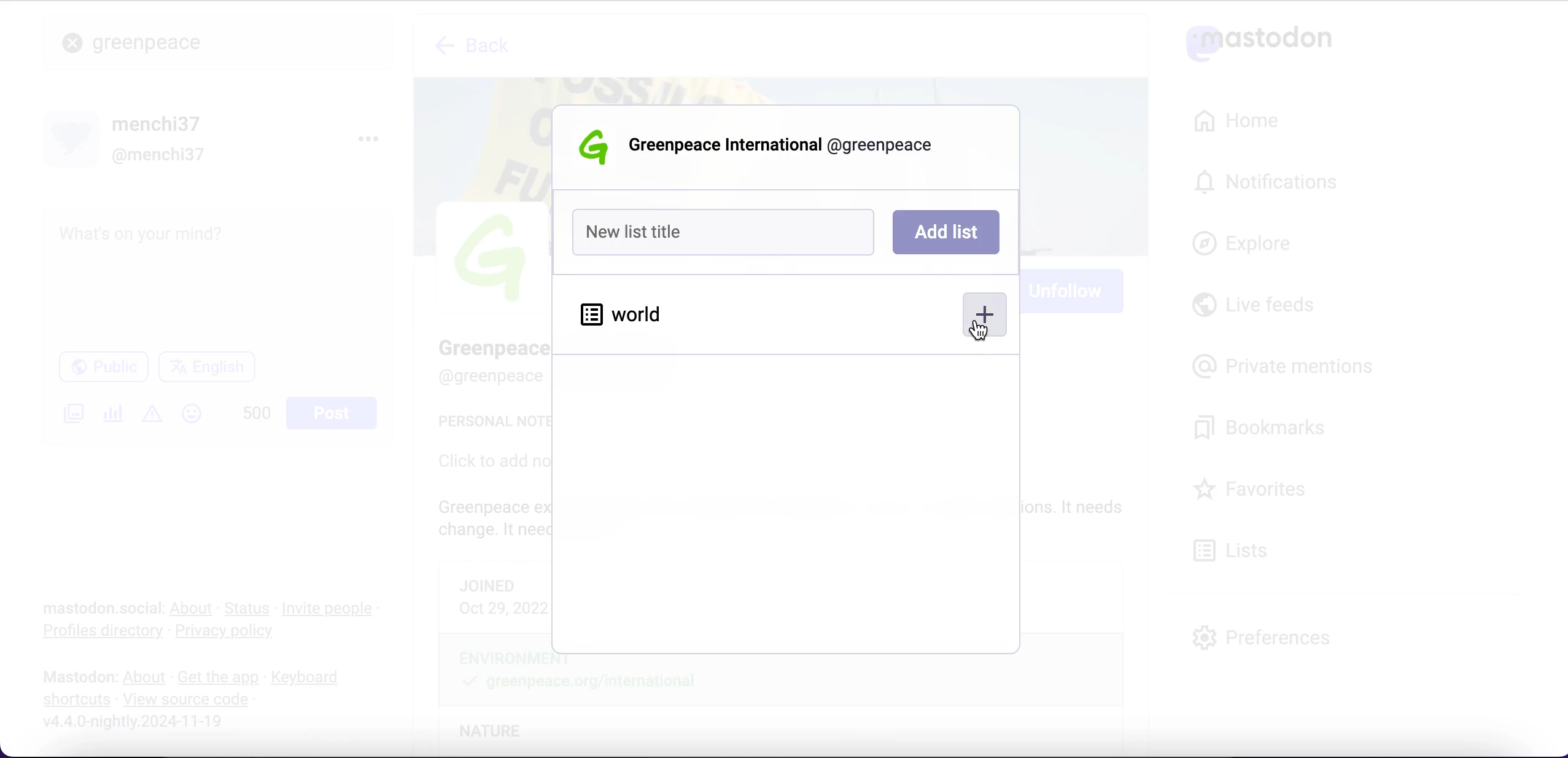 This screenshot has height=758, width=1568. What do you see at coordinates (155, 415) in the screenshot?
I see `add content warning` at bounding box center [155, 415].